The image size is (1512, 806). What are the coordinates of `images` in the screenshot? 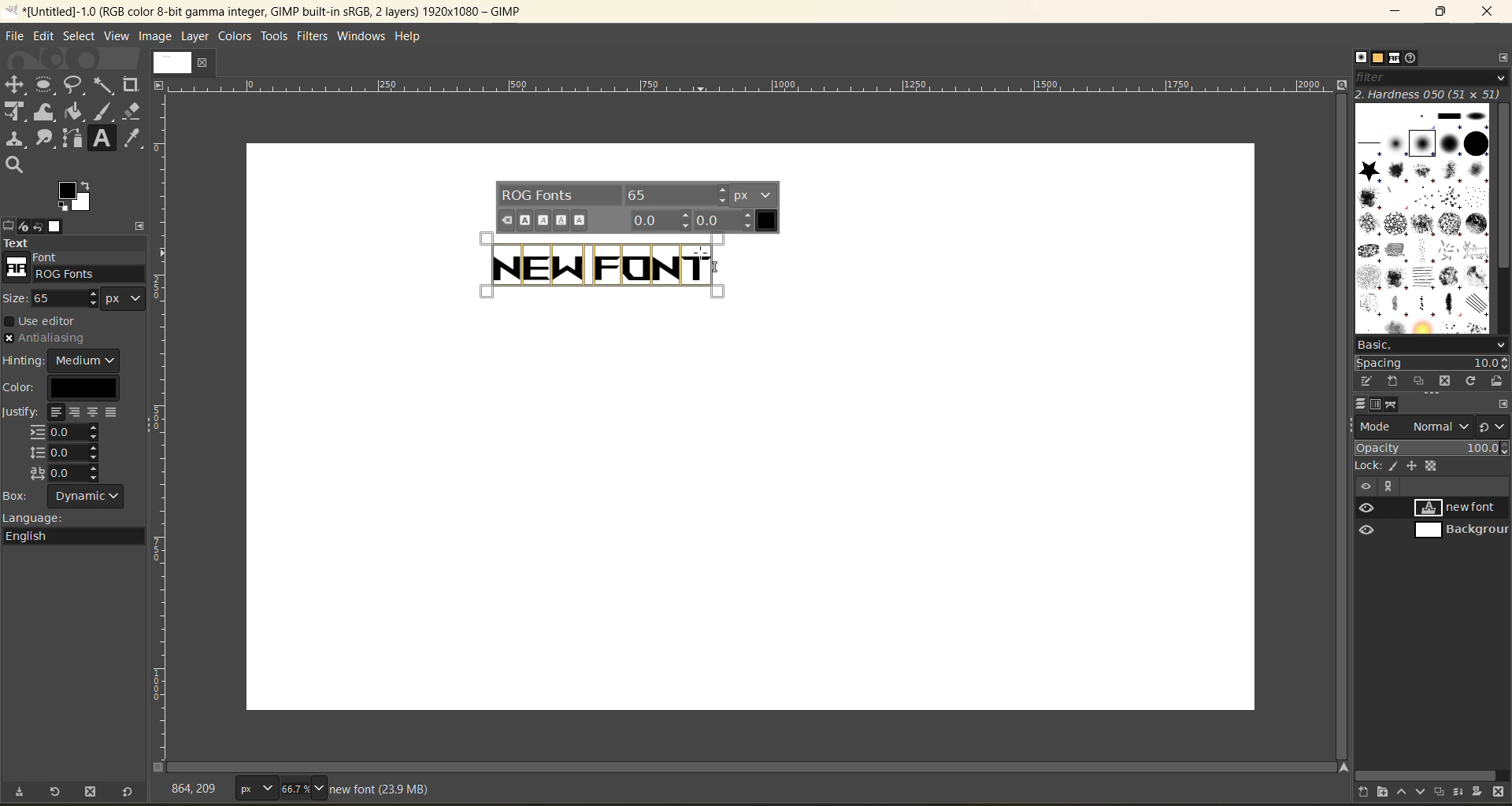 It's located at (57, 226).